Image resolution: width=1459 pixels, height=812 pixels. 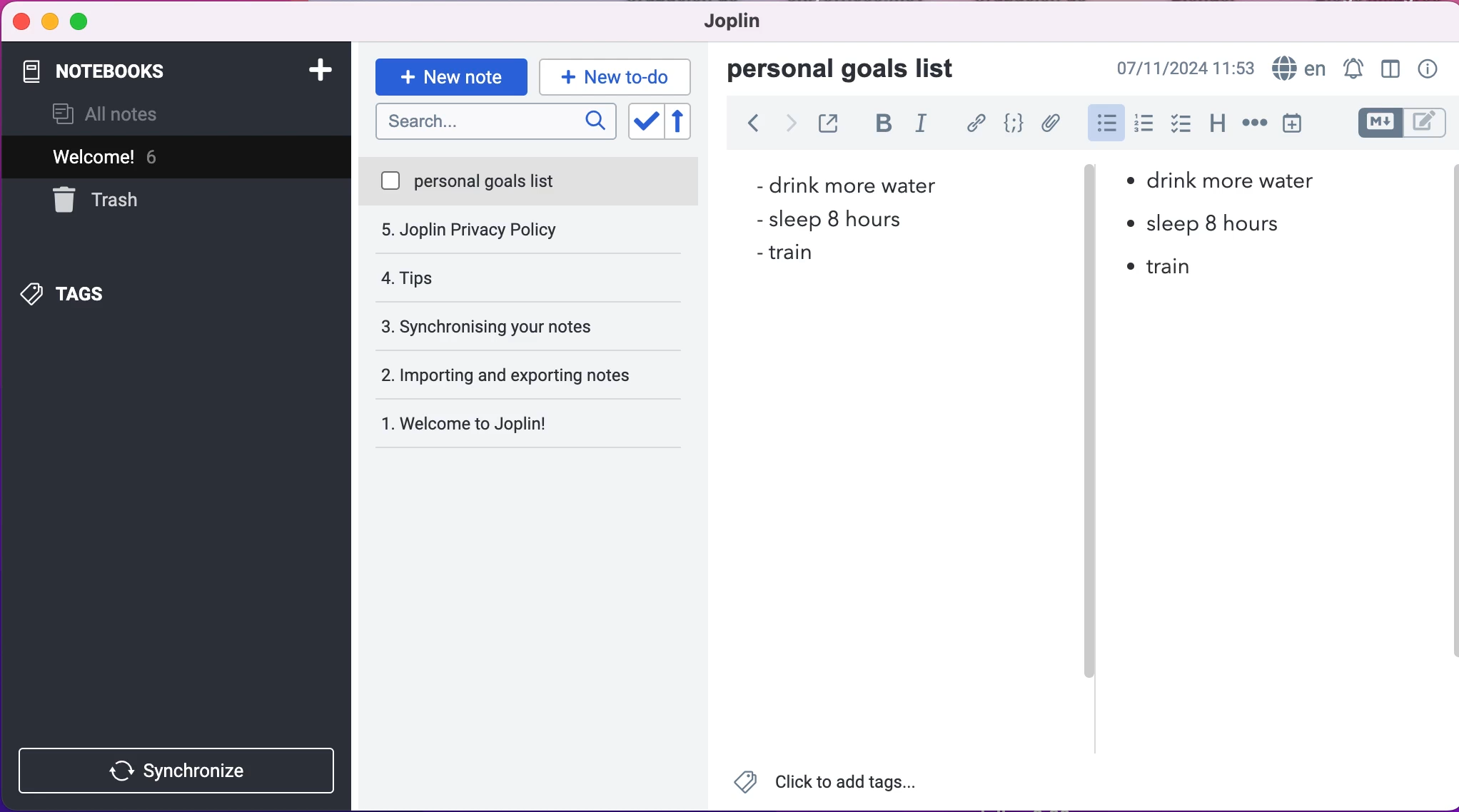 I want to click on maximize, so click(x=85, y=24).